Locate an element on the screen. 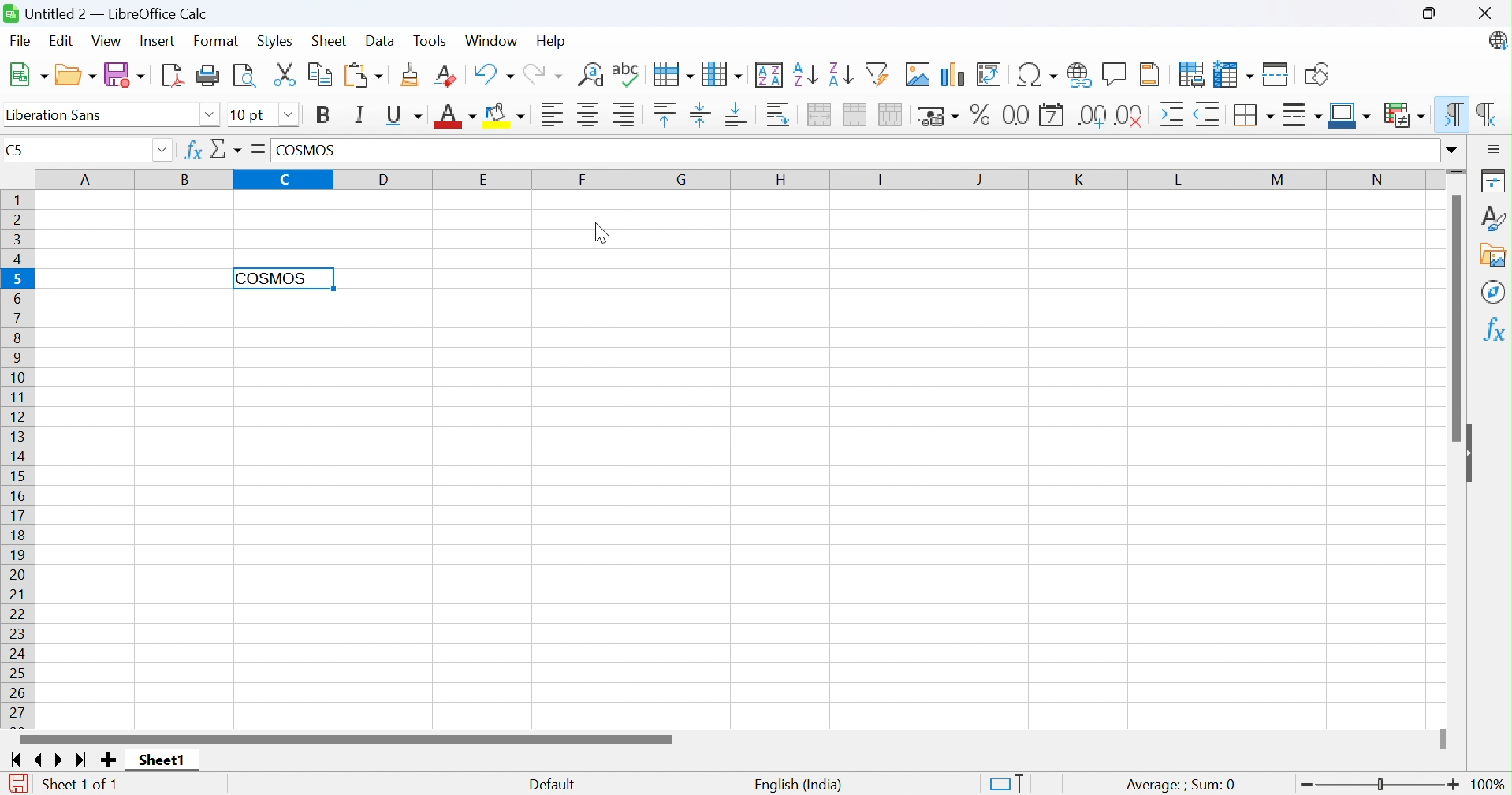  Format as currency is located at coordinates (939, 118).